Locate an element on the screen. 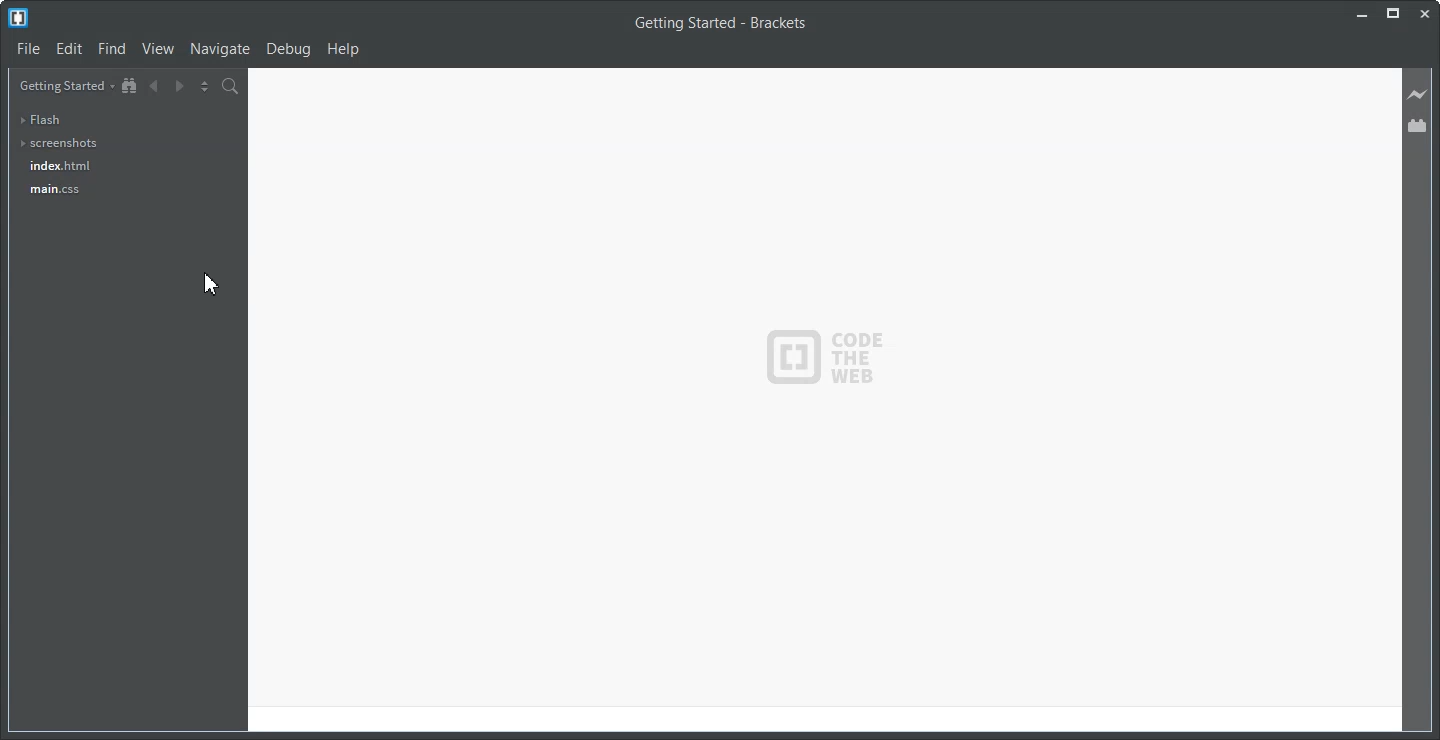 The width and height of the screenshot is (1440, 740). View is located at coordinates (159, 49).